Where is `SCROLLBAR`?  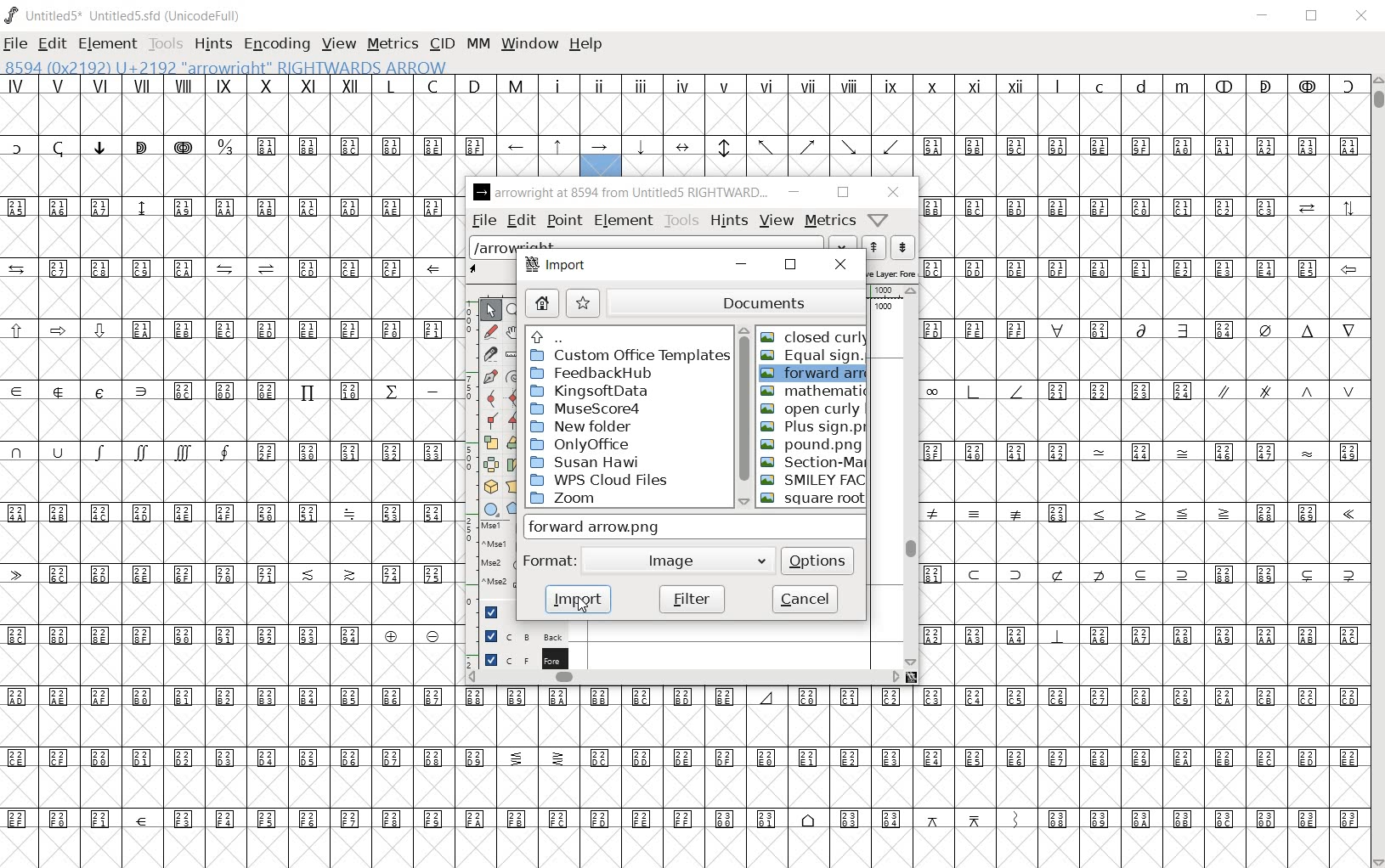 SCROLLBAR is located at coordinates (1377, 470).